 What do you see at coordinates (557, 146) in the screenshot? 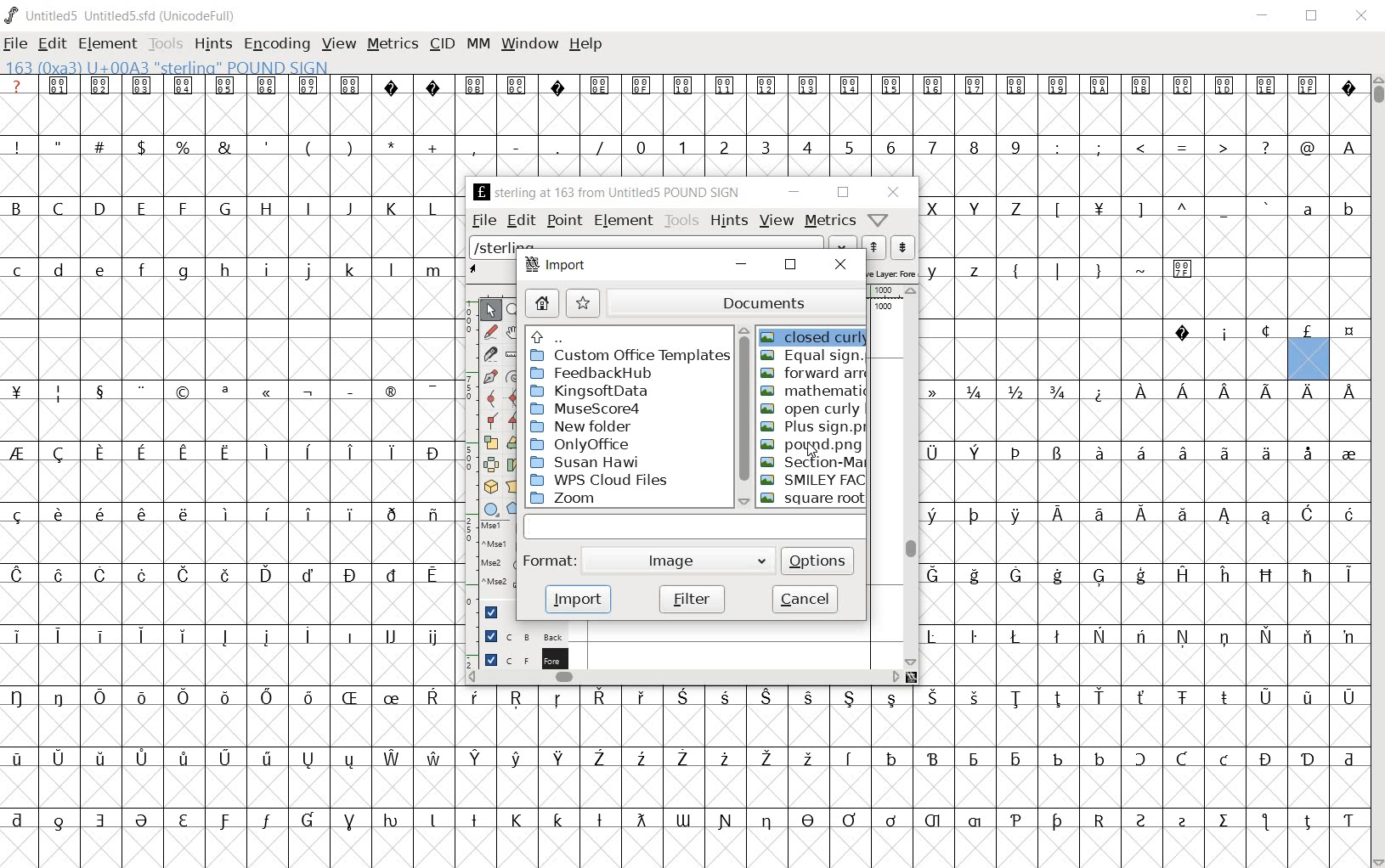
I see `.` at bounding box center [557, 146].